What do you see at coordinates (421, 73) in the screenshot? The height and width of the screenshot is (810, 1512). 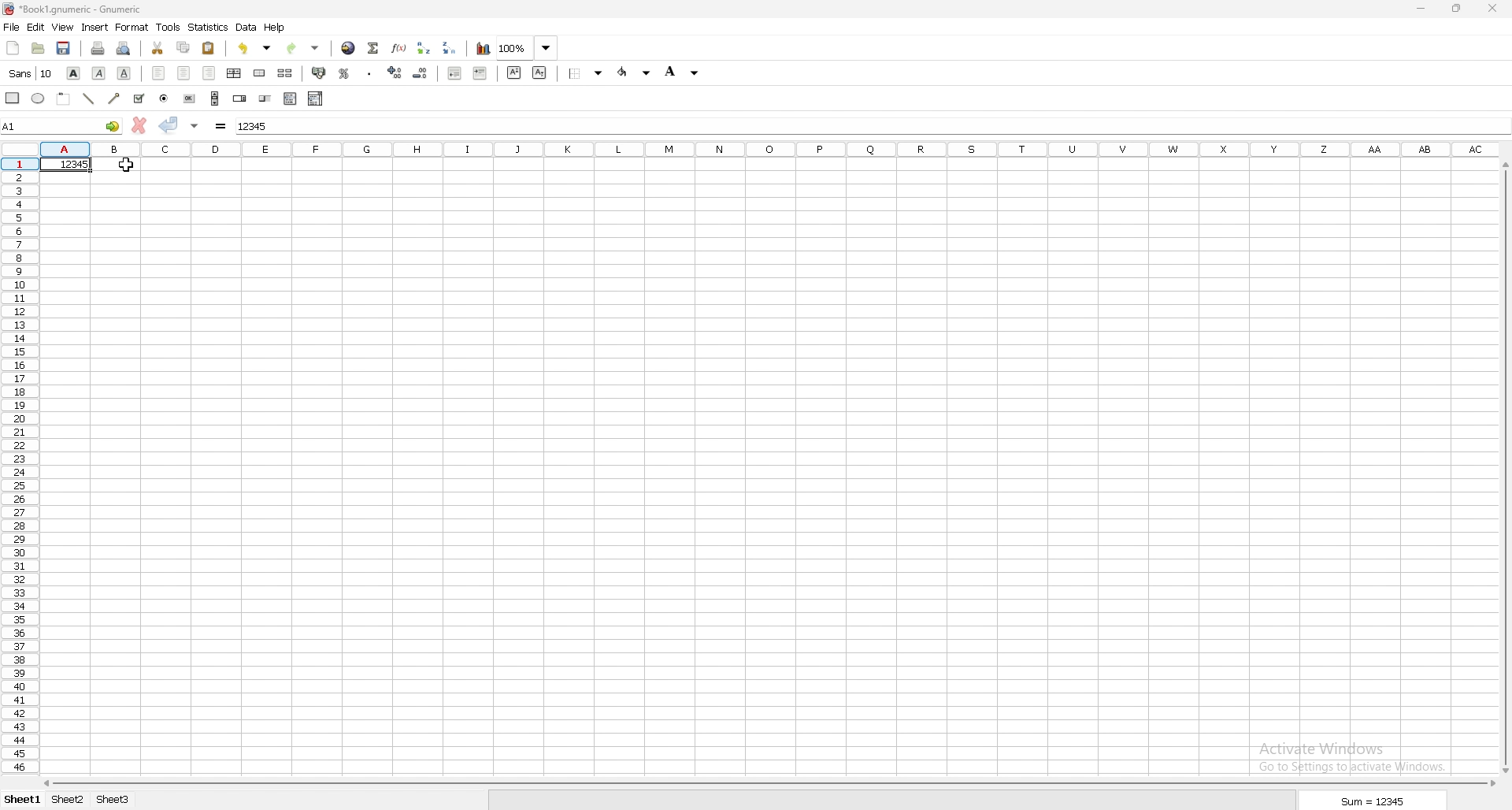 I see `decrease decimals` at bounding box center [421, 73].